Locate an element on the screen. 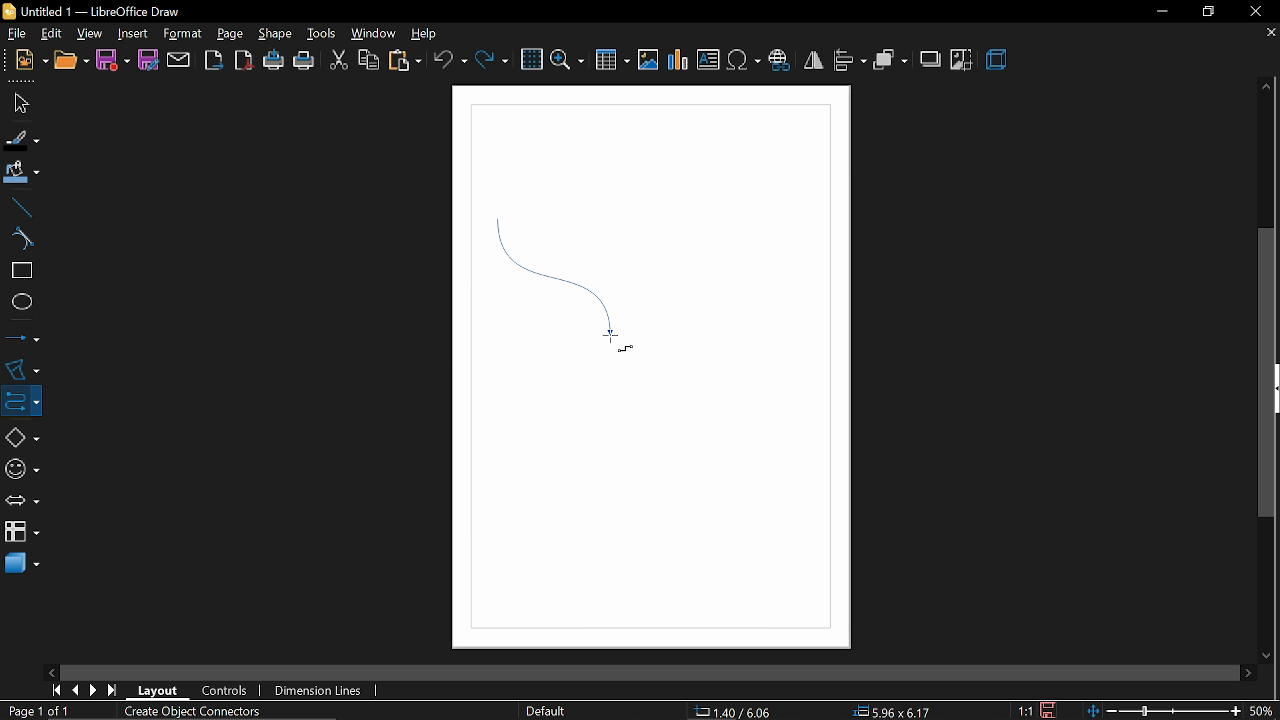 The image size is (1280, 720). lines and arrows is located at coordinates (22, 337).